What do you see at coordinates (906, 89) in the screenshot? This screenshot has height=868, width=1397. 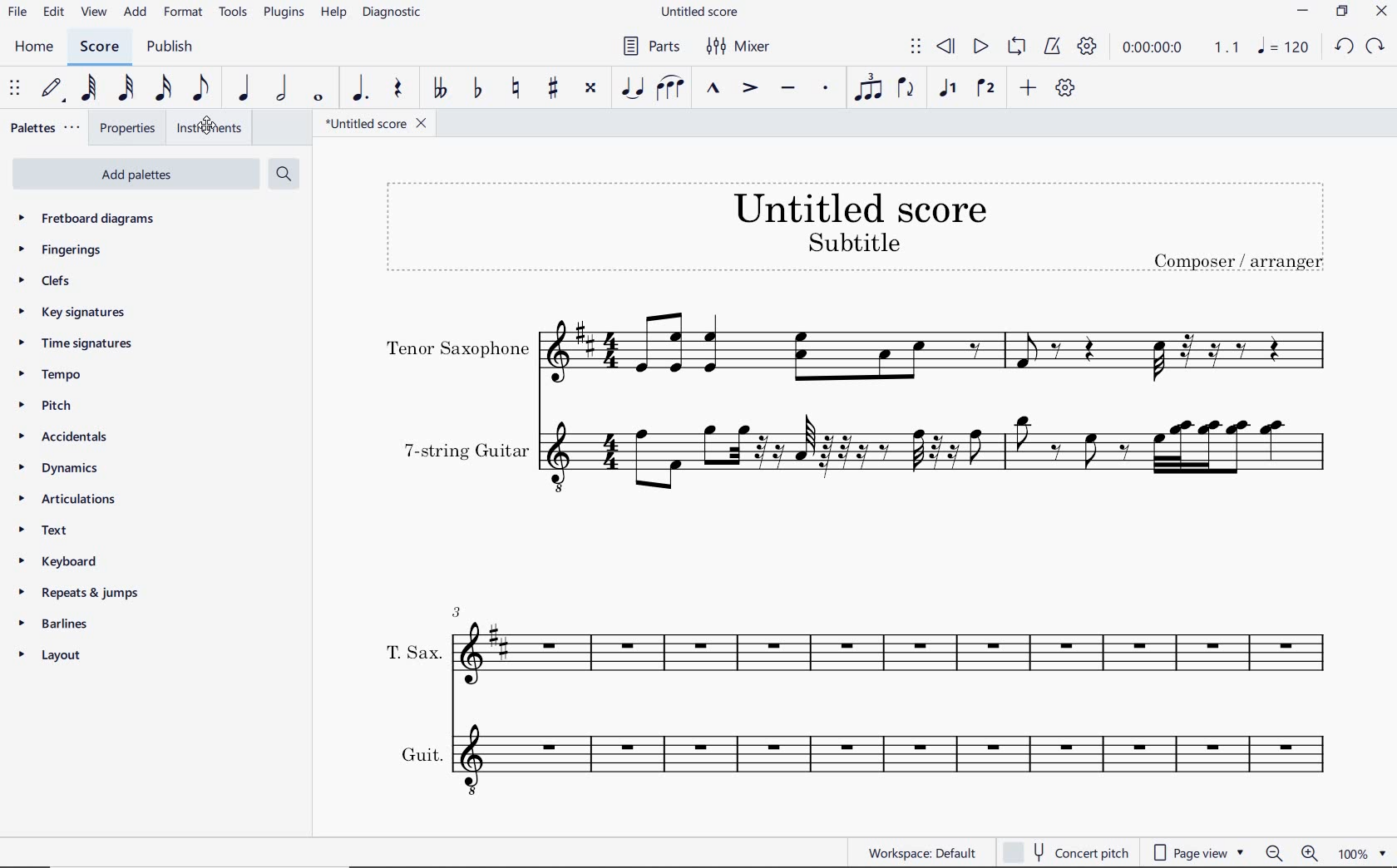 I see `FLIP DIRECTION` at bounding box center [906, 89].